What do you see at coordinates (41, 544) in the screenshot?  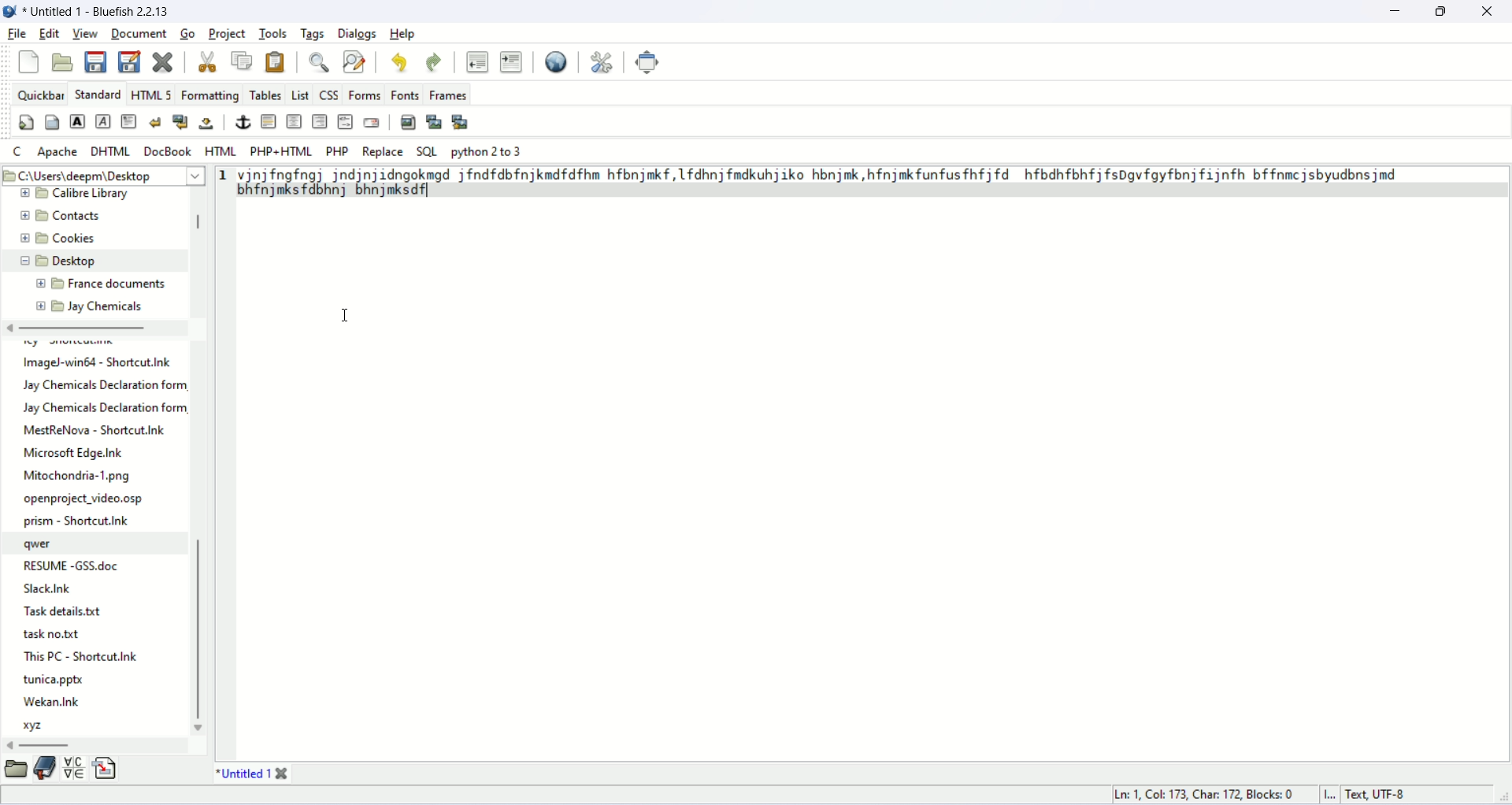 I see `qwer` at bounding box center [41, 544].